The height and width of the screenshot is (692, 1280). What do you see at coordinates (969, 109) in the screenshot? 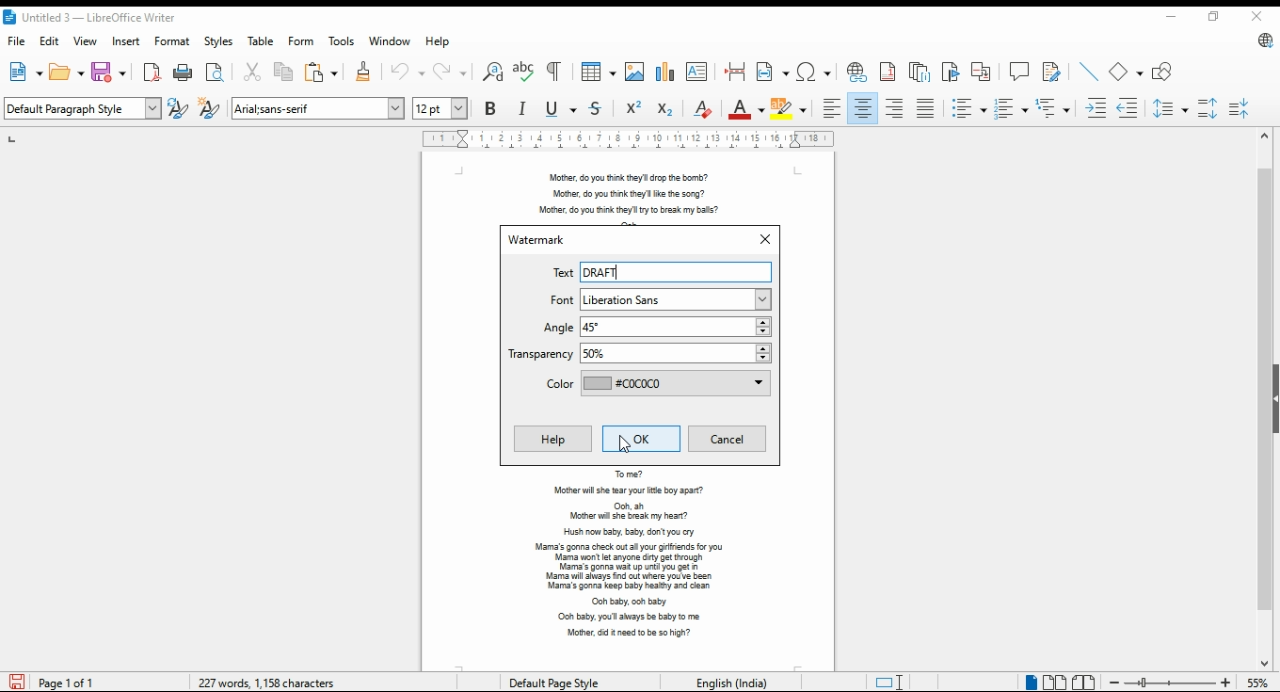
I see `toggle unordered list` at bounding box center [969, 109].